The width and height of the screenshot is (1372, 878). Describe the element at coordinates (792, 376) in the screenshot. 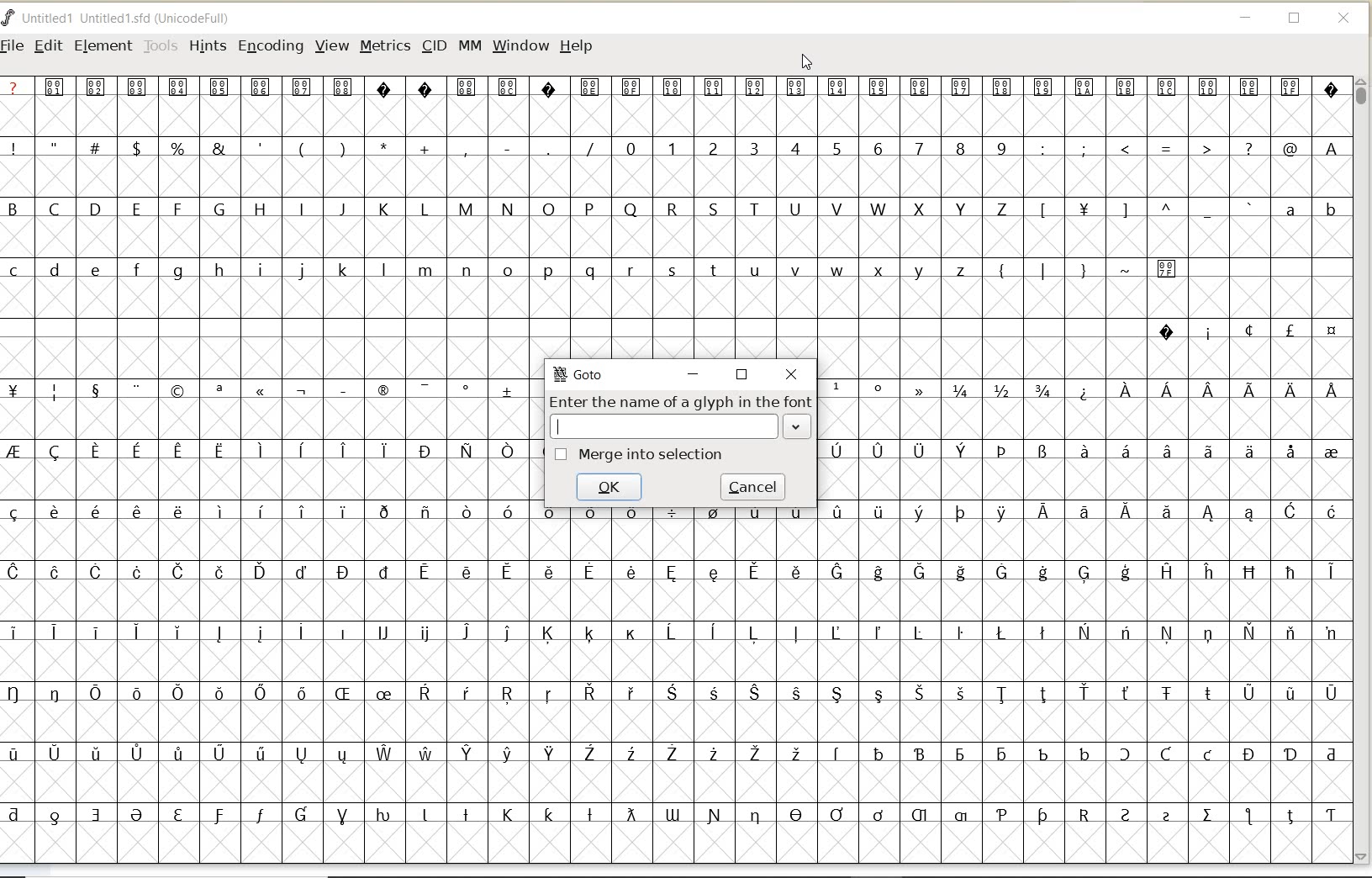

I see `close` at that location.